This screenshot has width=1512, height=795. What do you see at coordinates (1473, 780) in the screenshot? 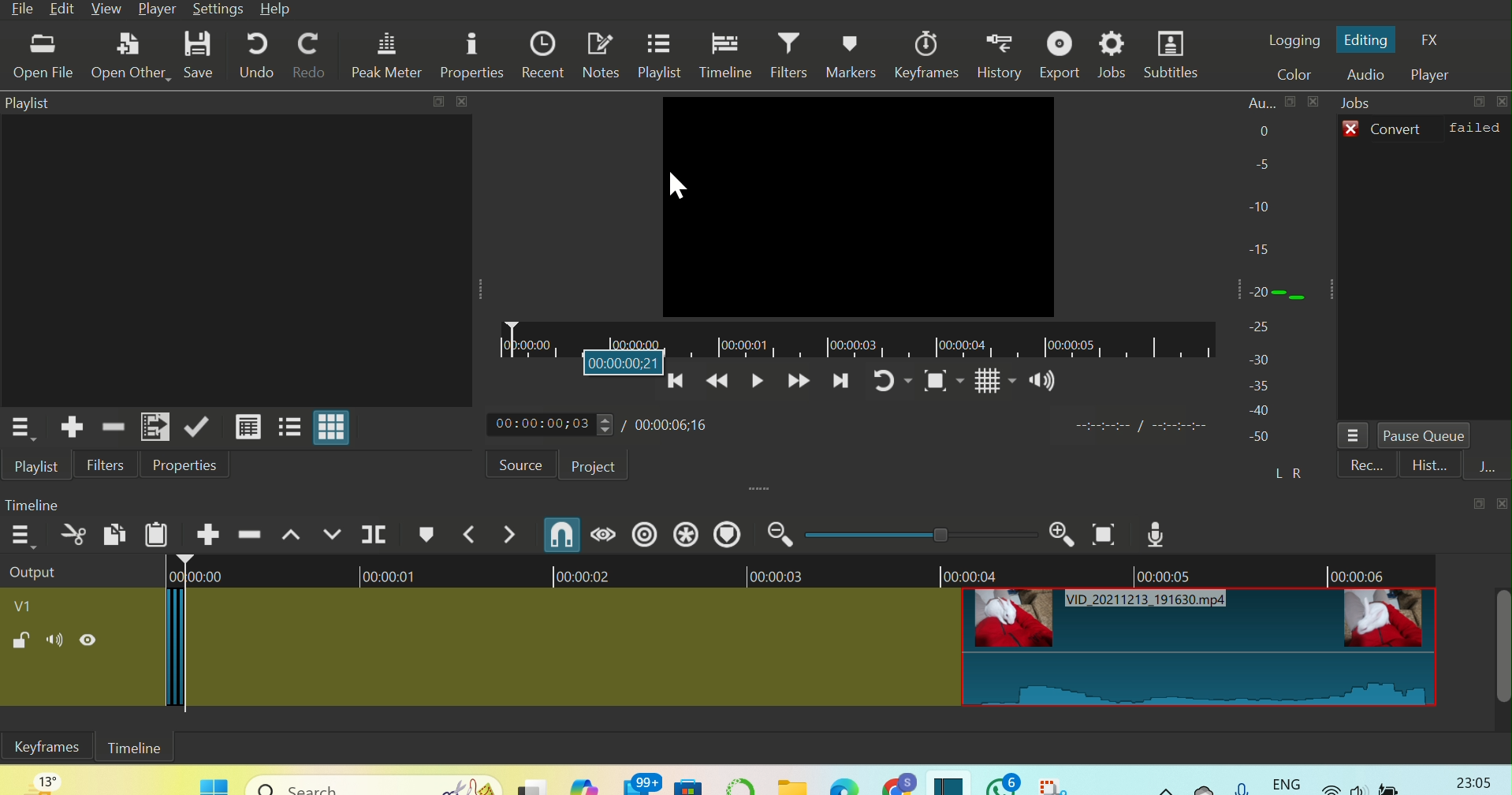
I see `` at bounding box center [1473, 780].